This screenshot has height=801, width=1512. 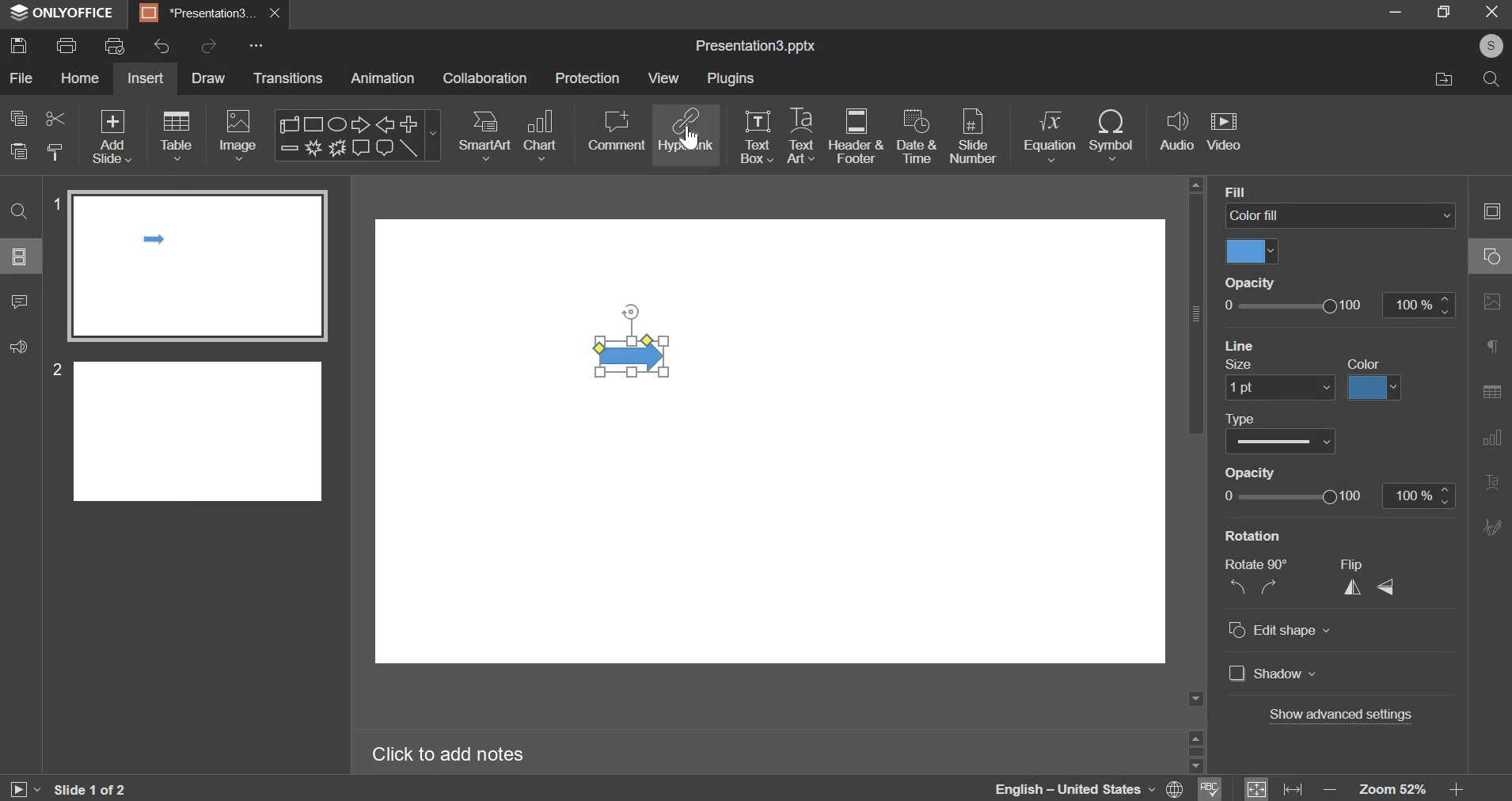 What do you see at coordinates (275, 13) in the screenshot?
I see `close` at bounding box center [275, 13].